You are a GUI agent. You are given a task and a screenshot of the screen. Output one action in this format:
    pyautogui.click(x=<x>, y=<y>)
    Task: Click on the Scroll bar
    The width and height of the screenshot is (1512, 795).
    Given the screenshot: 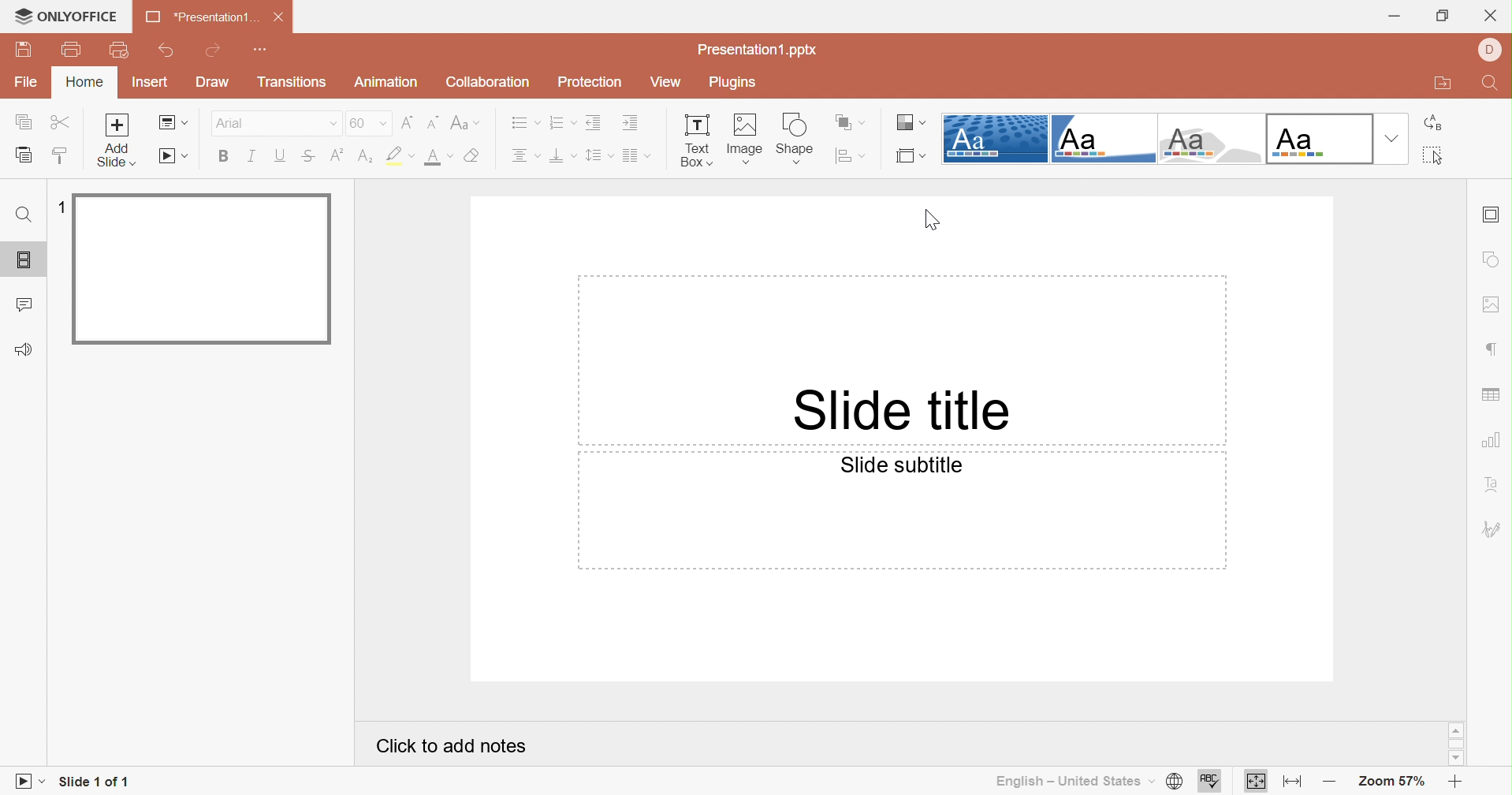 What is the action you would take?
    pyautogui.click(x=1456, y=742)
    